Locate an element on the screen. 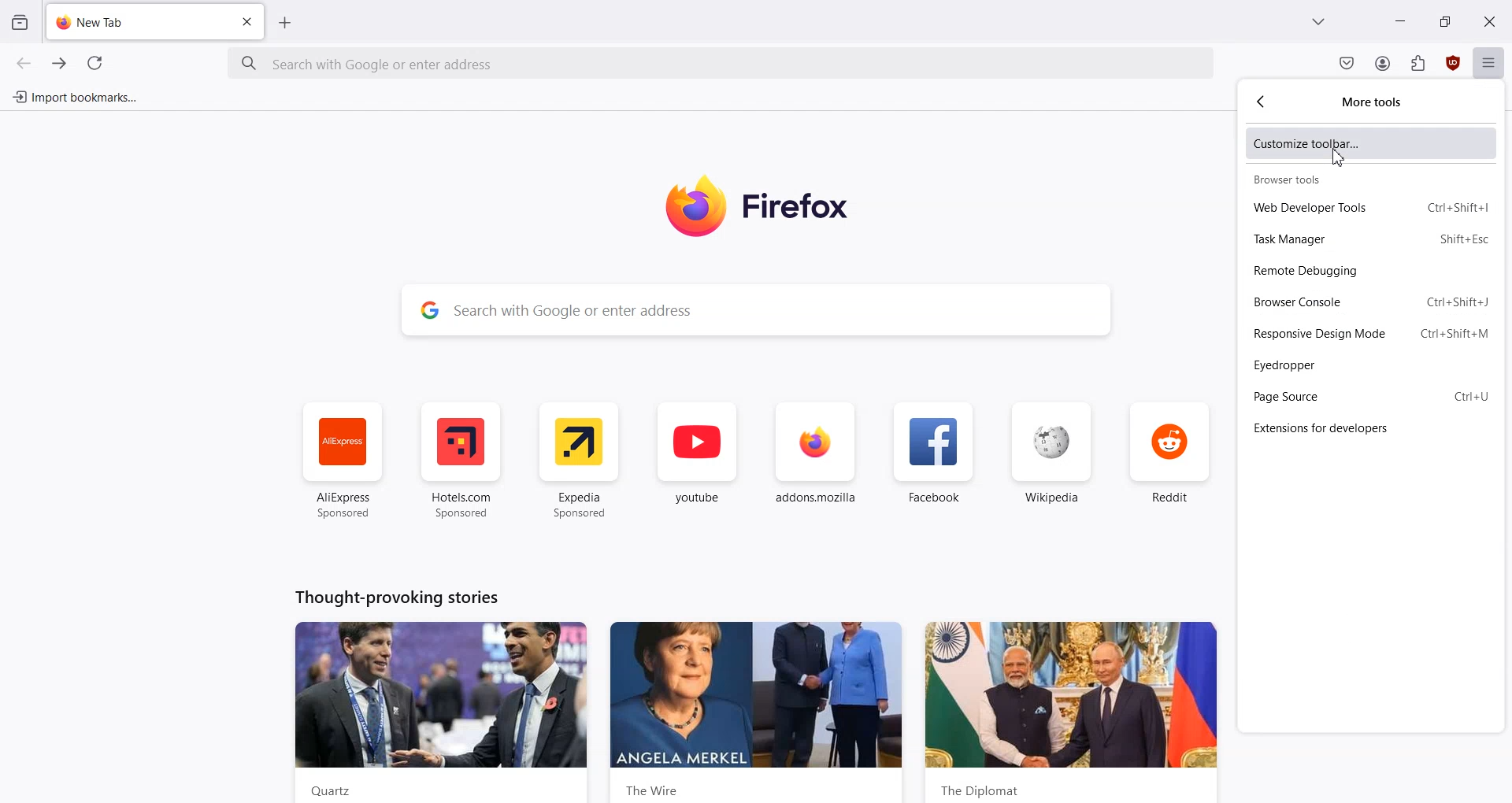 This screenshot has width=1512, height=803. Shortcut key is located at coordinates (1455, 333).